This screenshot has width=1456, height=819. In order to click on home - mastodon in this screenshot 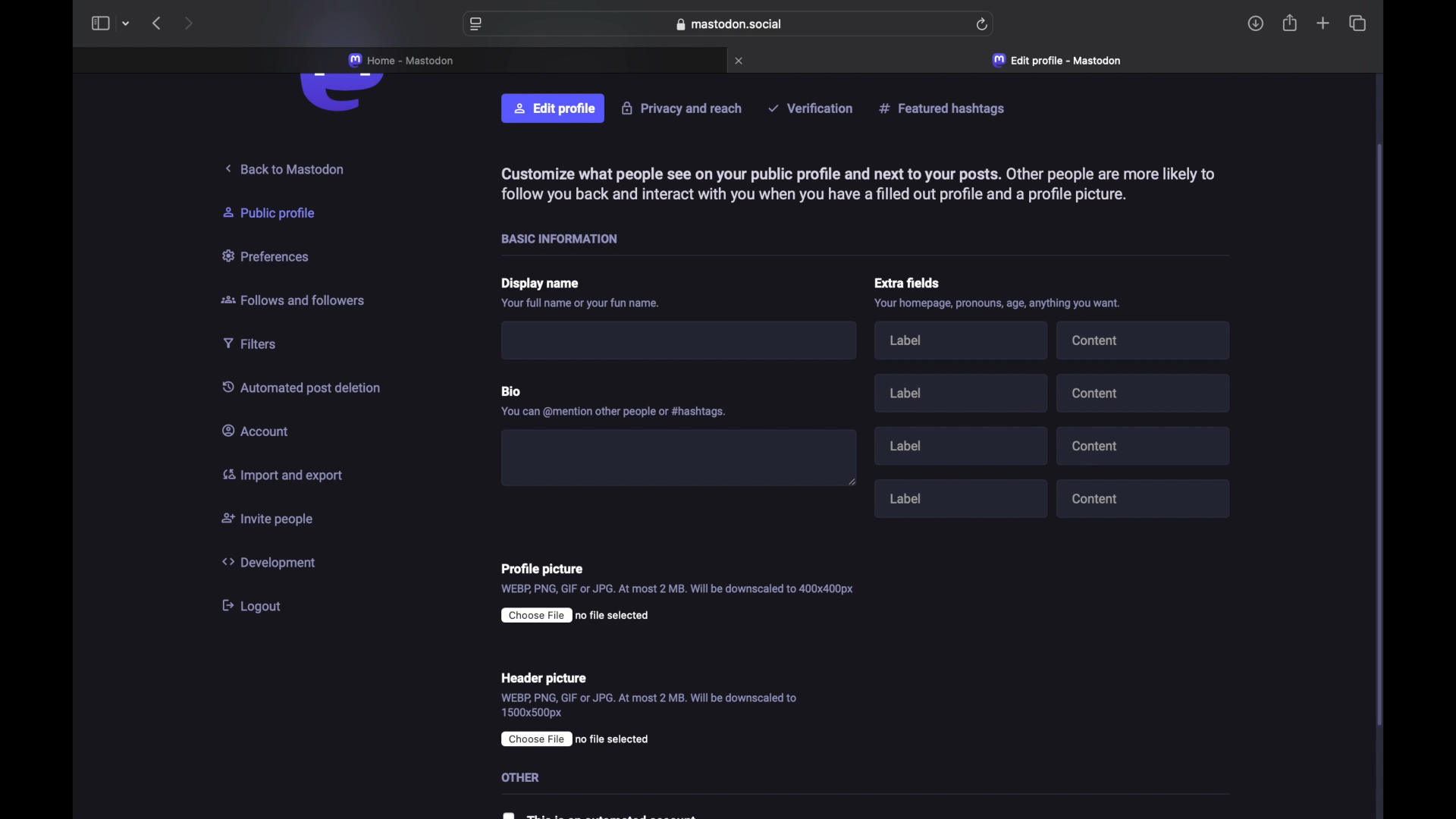, I will do `click(402, 61)`.